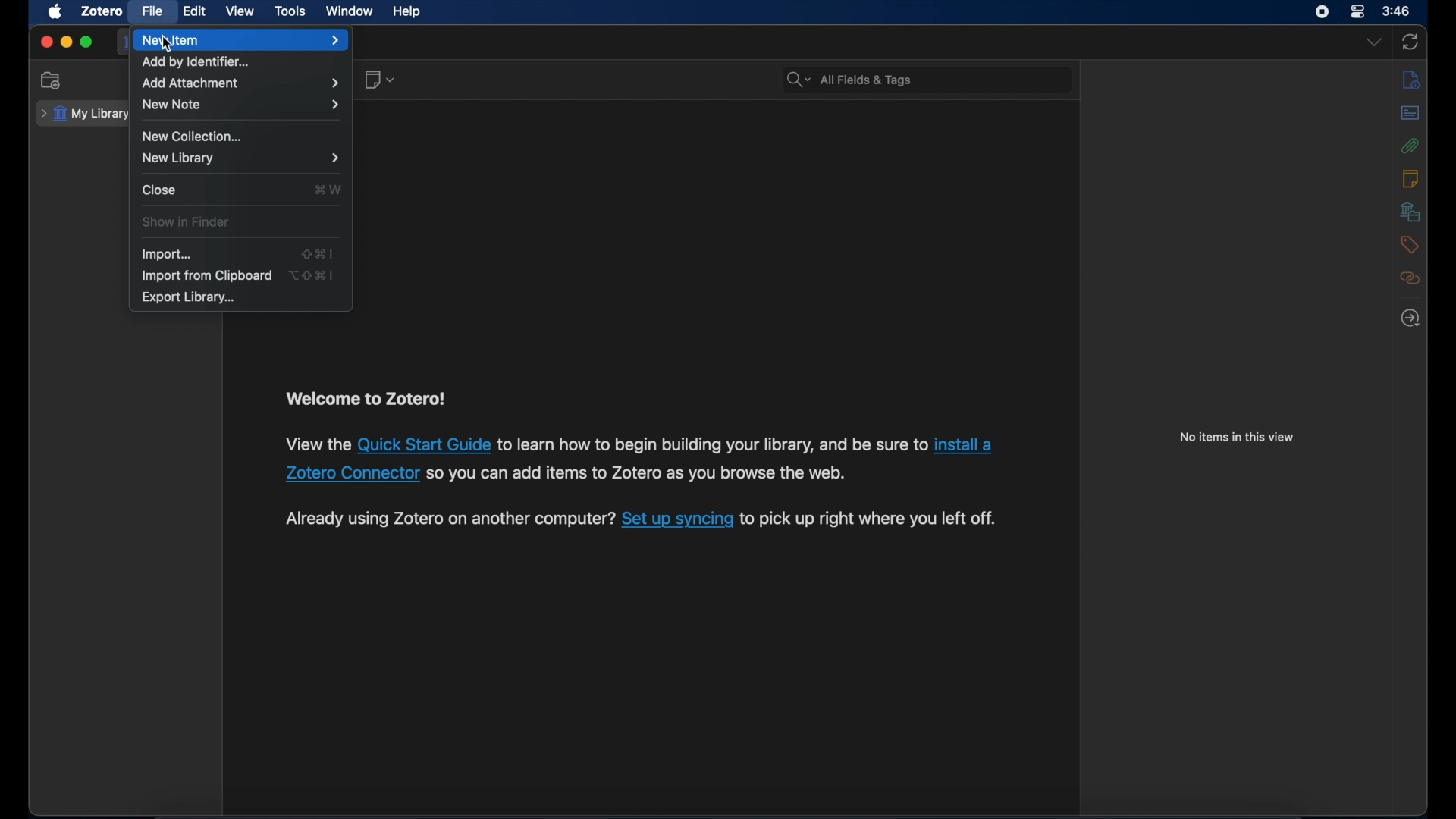 The width and height of the screenshot is (1456, 819). What do you see at coordinates (1323, 11) in the screenshot?
I see `screen recorder` at bounding box center [1323, 11].